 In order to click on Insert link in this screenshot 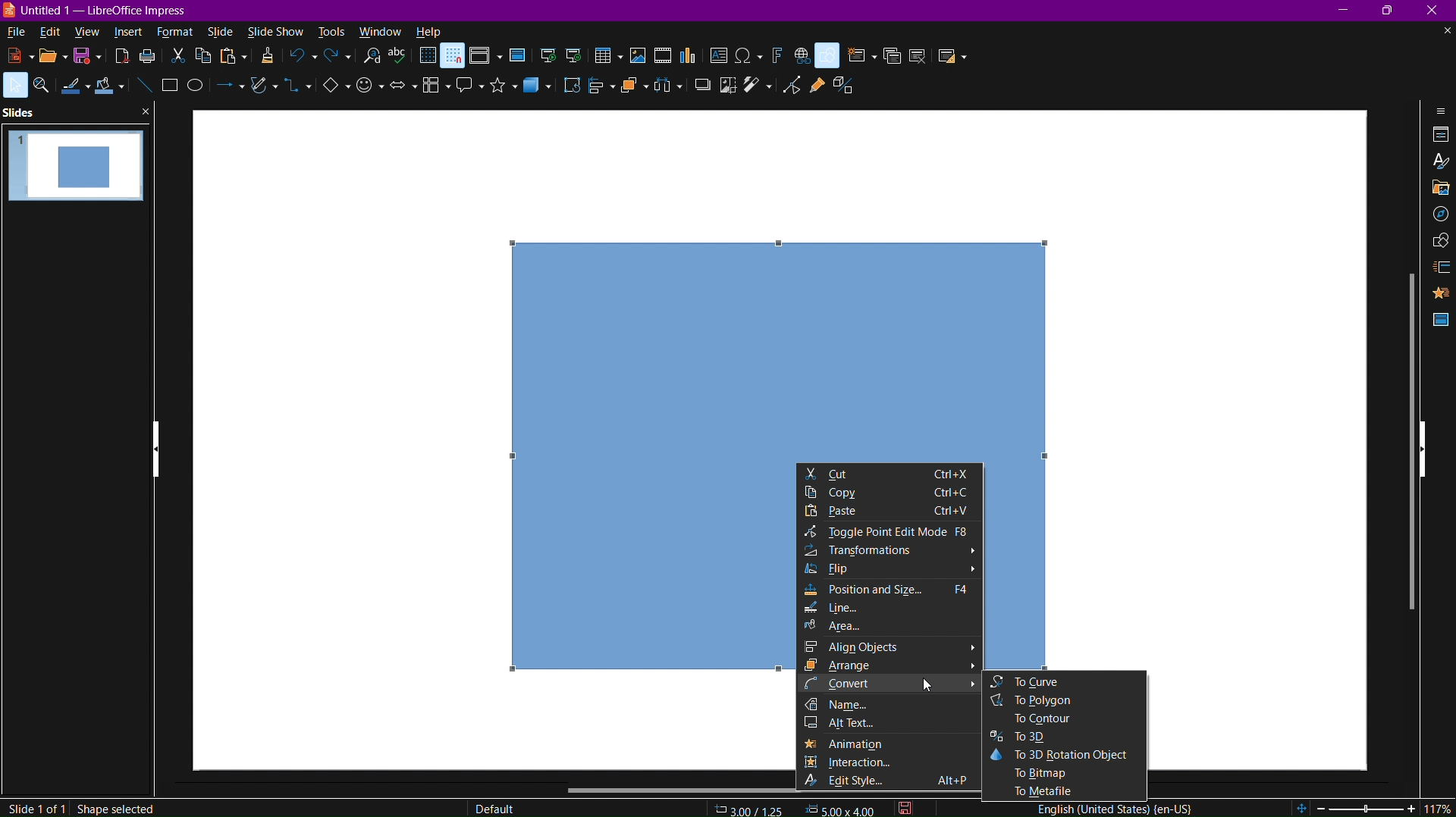, I will do `click(802, 56)`.